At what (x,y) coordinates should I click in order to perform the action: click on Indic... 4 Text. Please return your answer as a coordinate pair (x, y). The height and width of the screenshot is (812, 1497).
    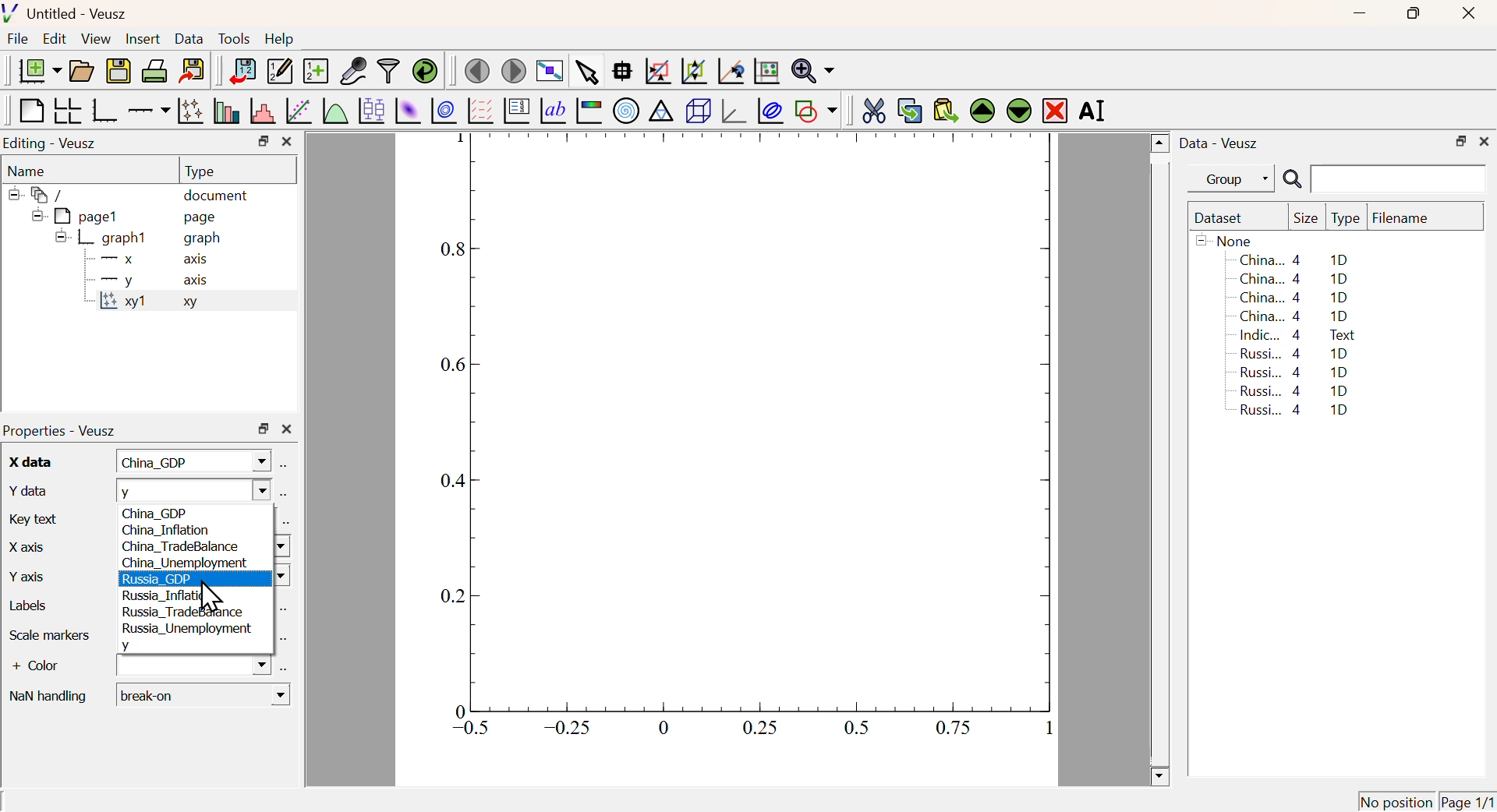
    Looking at the image, I should click on (1297, 335).